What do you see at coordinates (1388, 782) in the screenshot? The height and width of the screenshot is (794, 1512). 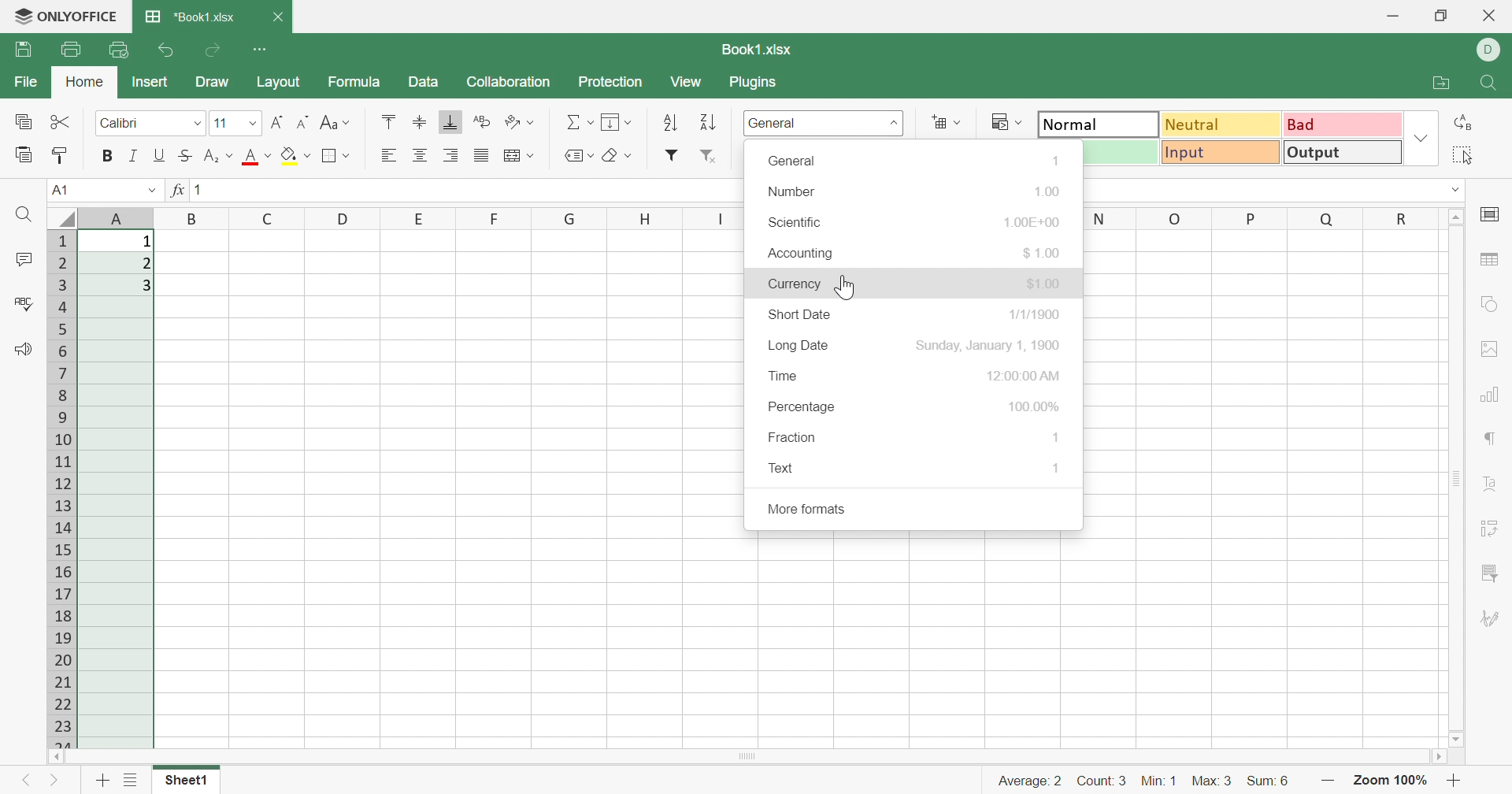 I see `Zoom 100%` at bounding box center [1388, 782].